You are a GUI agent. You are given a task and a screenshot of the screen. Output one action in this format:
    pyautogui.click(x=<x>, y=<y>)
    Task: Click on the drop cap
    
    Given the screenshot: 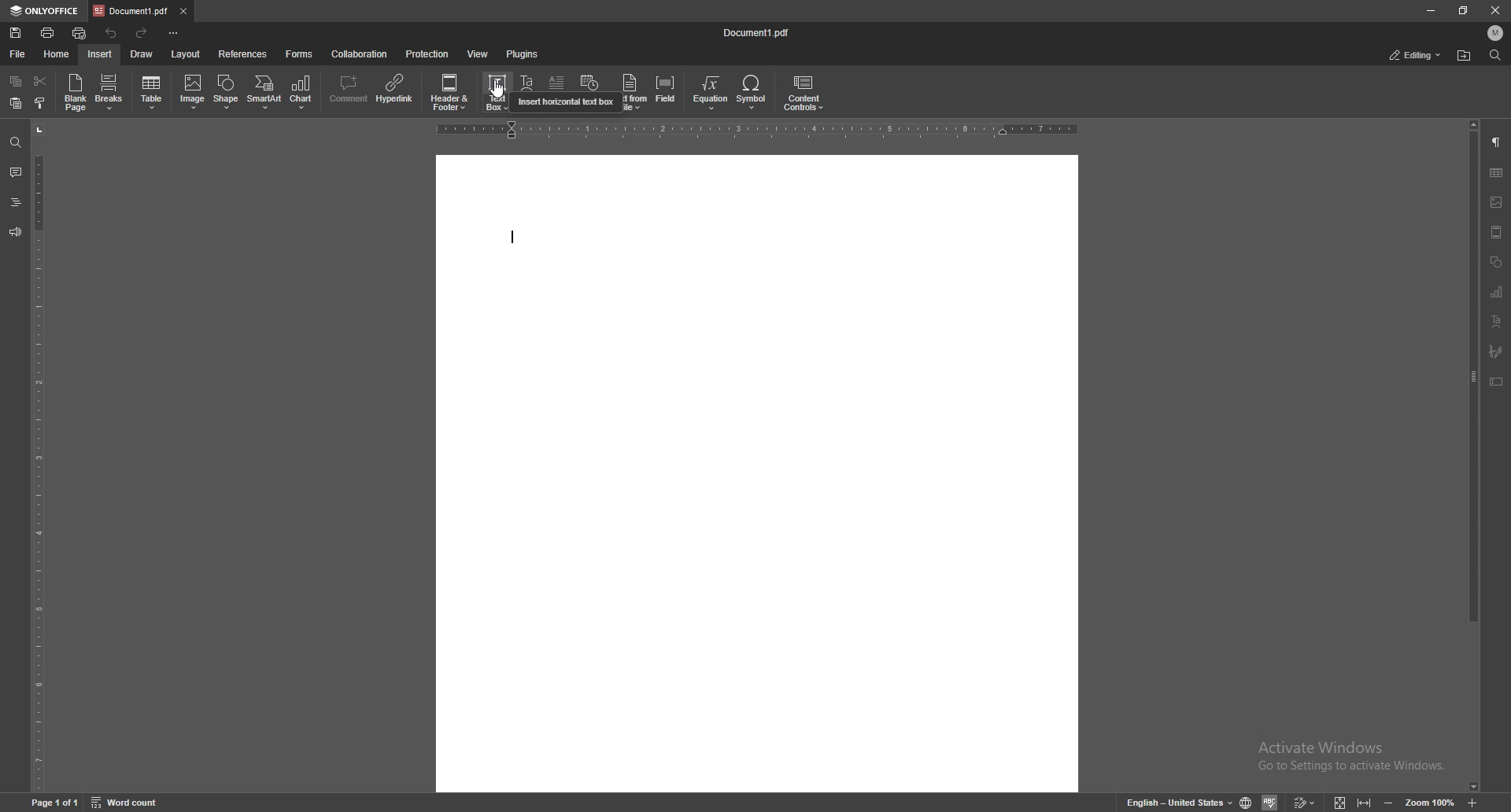 What is the action you would take?
    pyautogui.click(x=556, y=92)
    